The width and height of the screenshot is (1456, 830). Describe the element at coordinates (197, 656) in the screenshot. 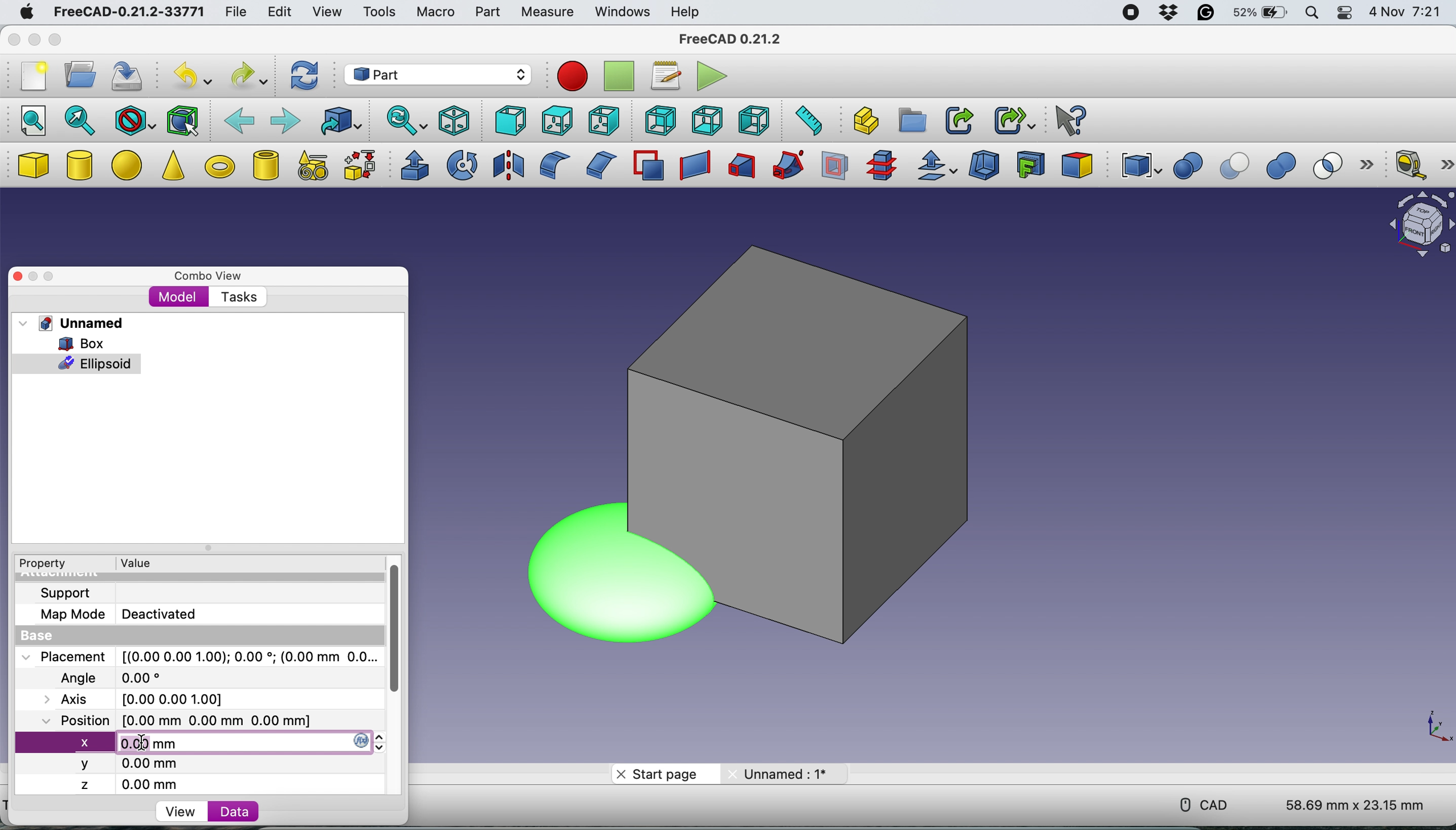

I see `Placement [(0.00 0.00 1.00); 0.00 *; (0.00 mm 0.0..` at that location.